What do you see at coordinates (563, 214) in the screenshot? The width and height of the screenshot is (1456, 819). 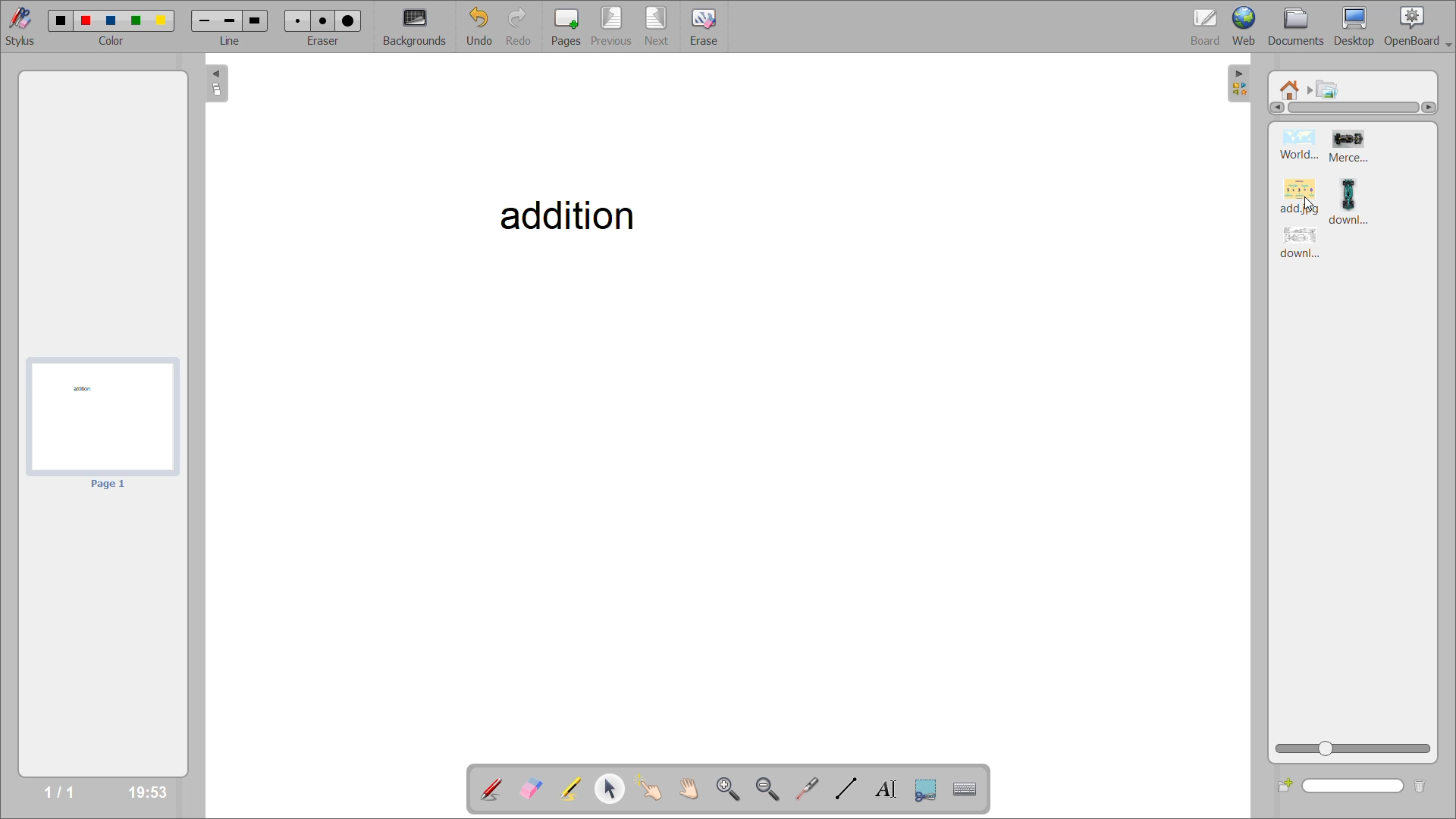 I see `addition - title` at bounding box center [563, 214].